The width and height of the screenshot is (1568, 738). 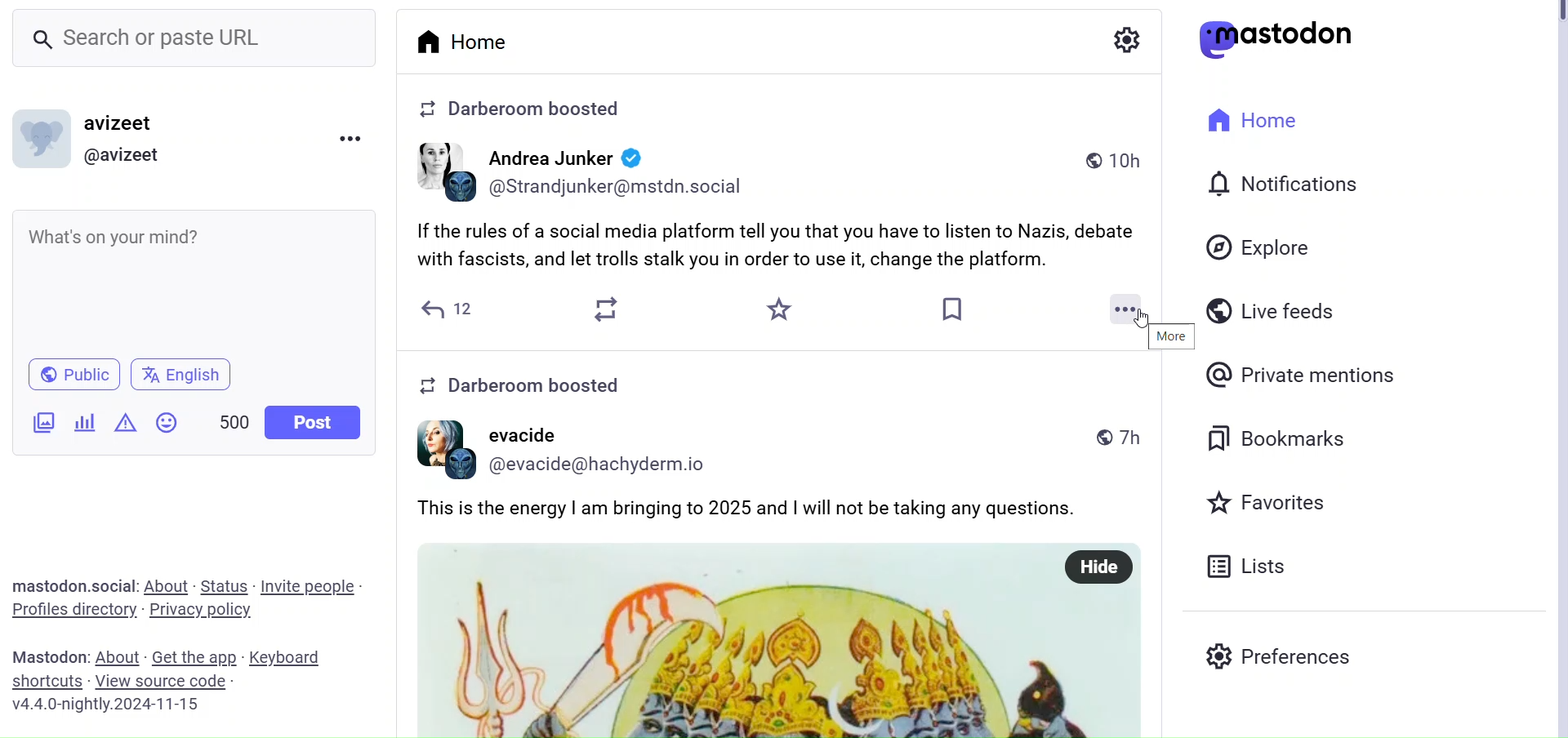 I want to click on user name, so click(x=524, y=435).